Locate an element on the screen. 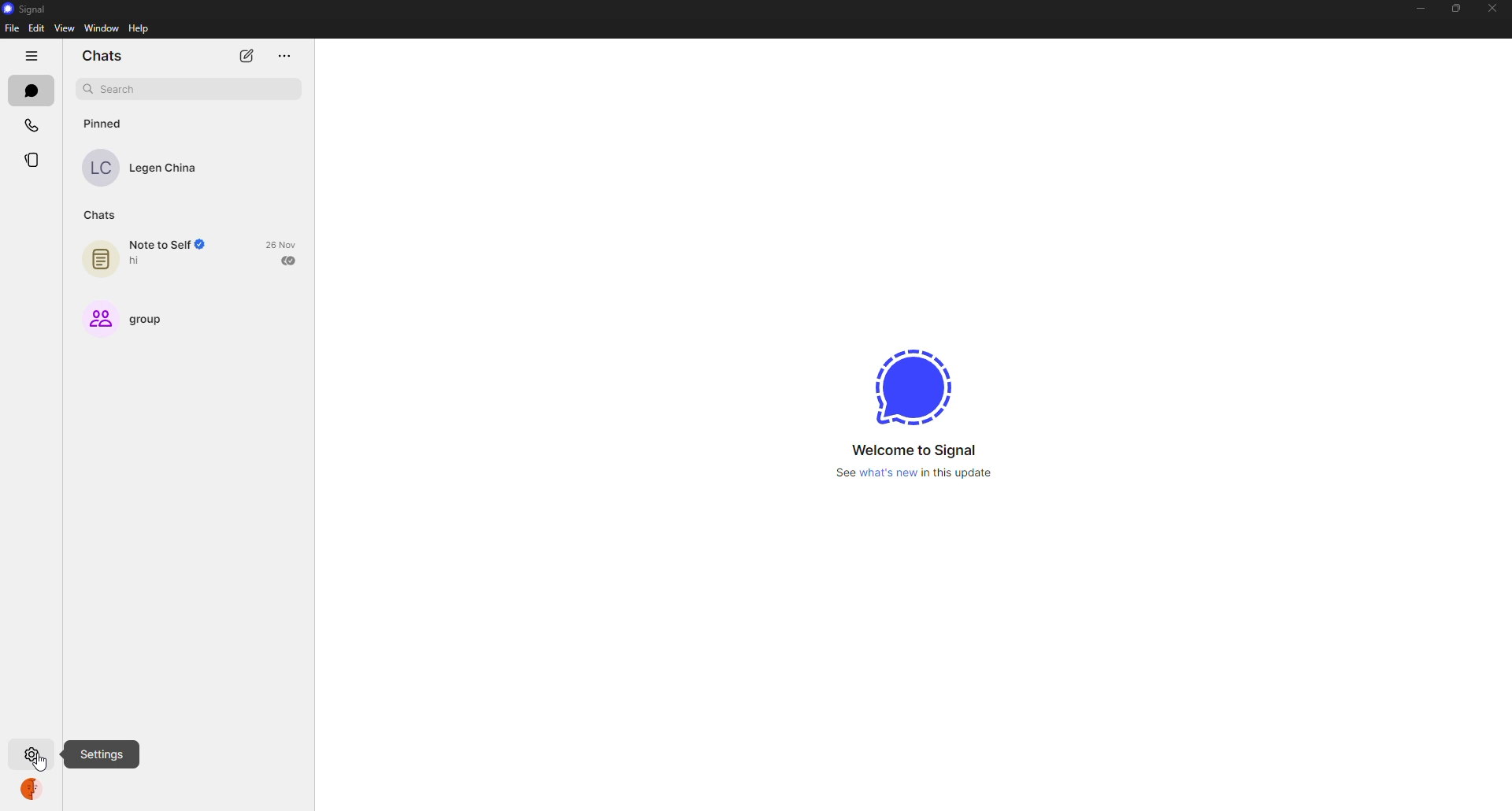 This screenshot has width=1512, height=811. signal is located at coordinates (908, 385).